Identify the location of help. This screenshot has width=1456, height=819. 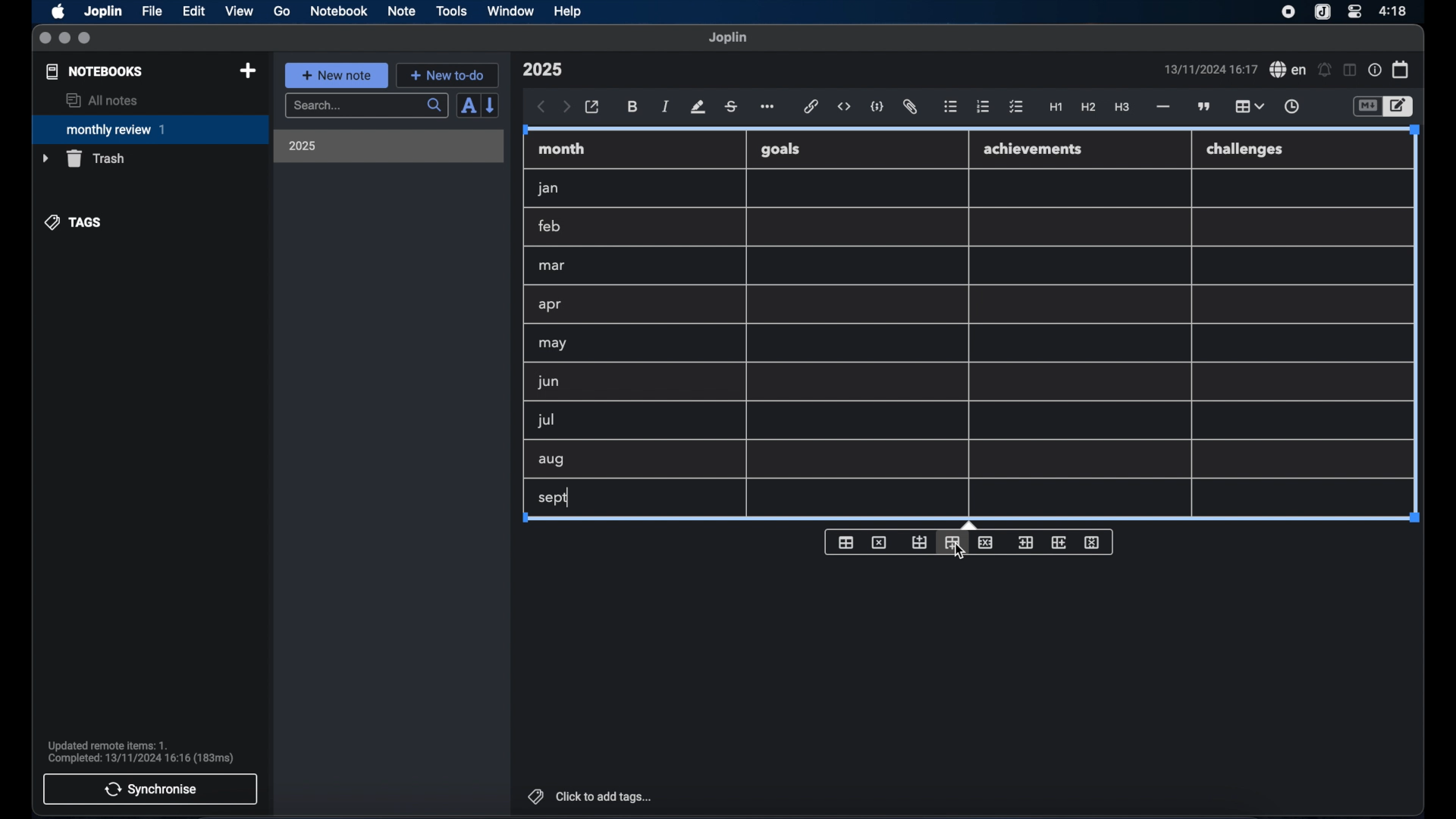
(569, 11).